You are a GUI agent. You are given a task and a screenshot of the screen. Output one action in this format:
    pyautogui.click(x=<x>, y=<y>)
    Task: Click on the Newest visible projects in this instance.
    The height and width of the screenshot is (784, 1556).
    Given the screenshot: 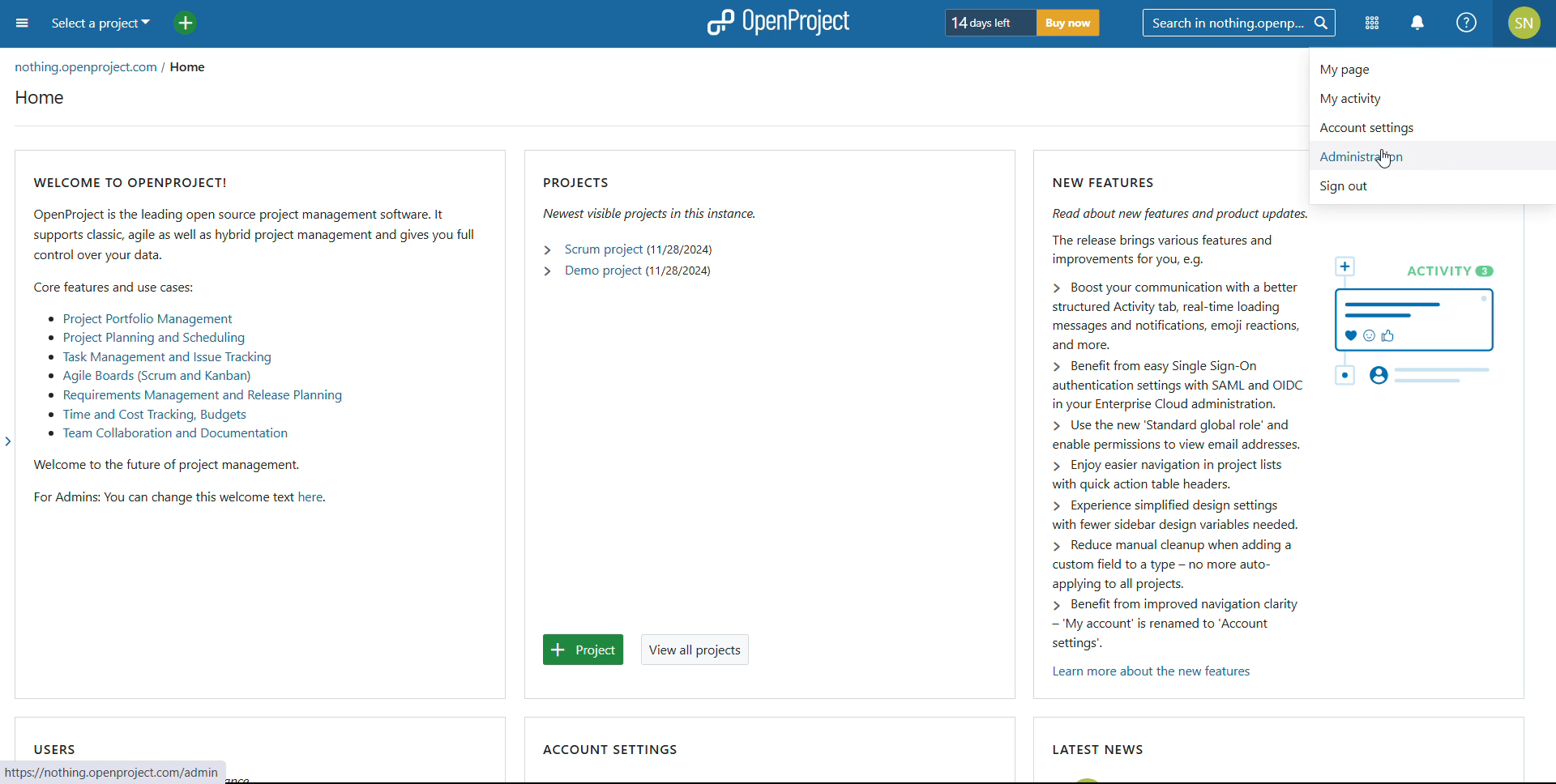 What is the action you would take?
    pyautogui.click(x=648, y=213)
    